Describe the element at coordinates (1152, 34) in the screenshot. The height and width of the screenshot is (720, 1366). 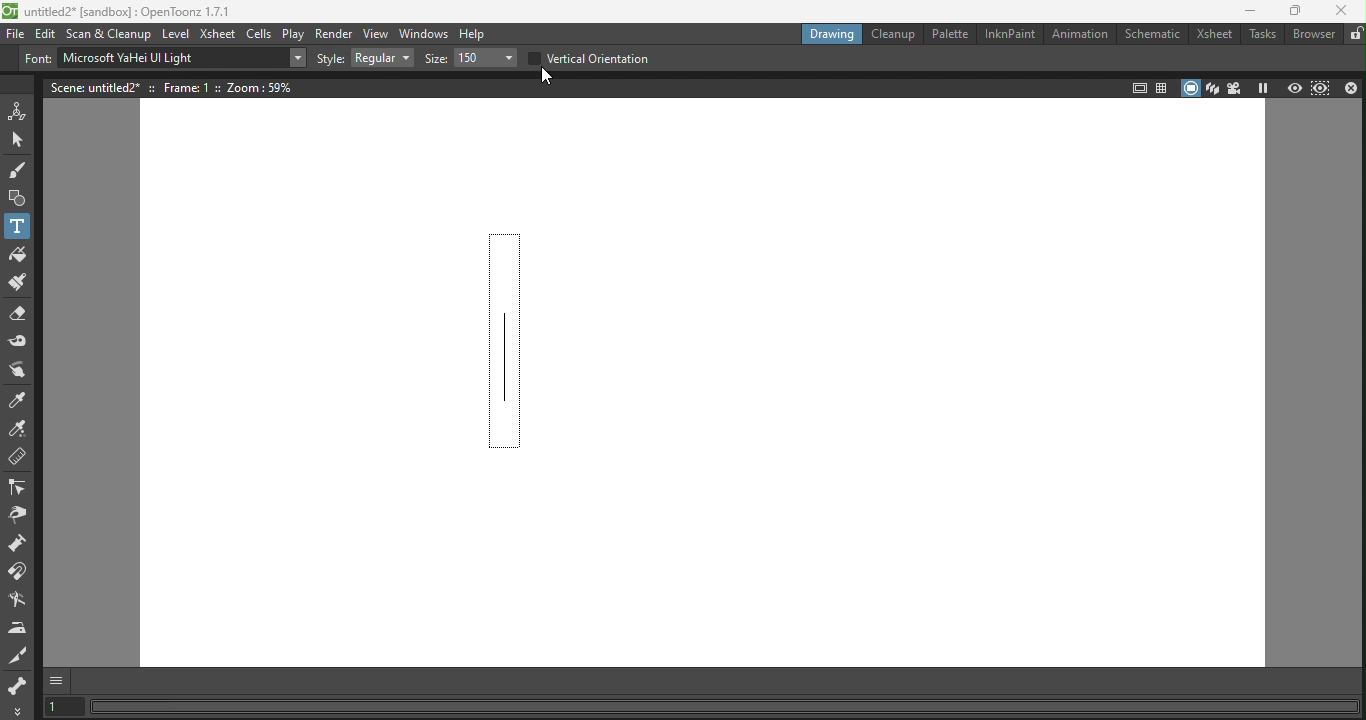
I see `Schematic` at that location.